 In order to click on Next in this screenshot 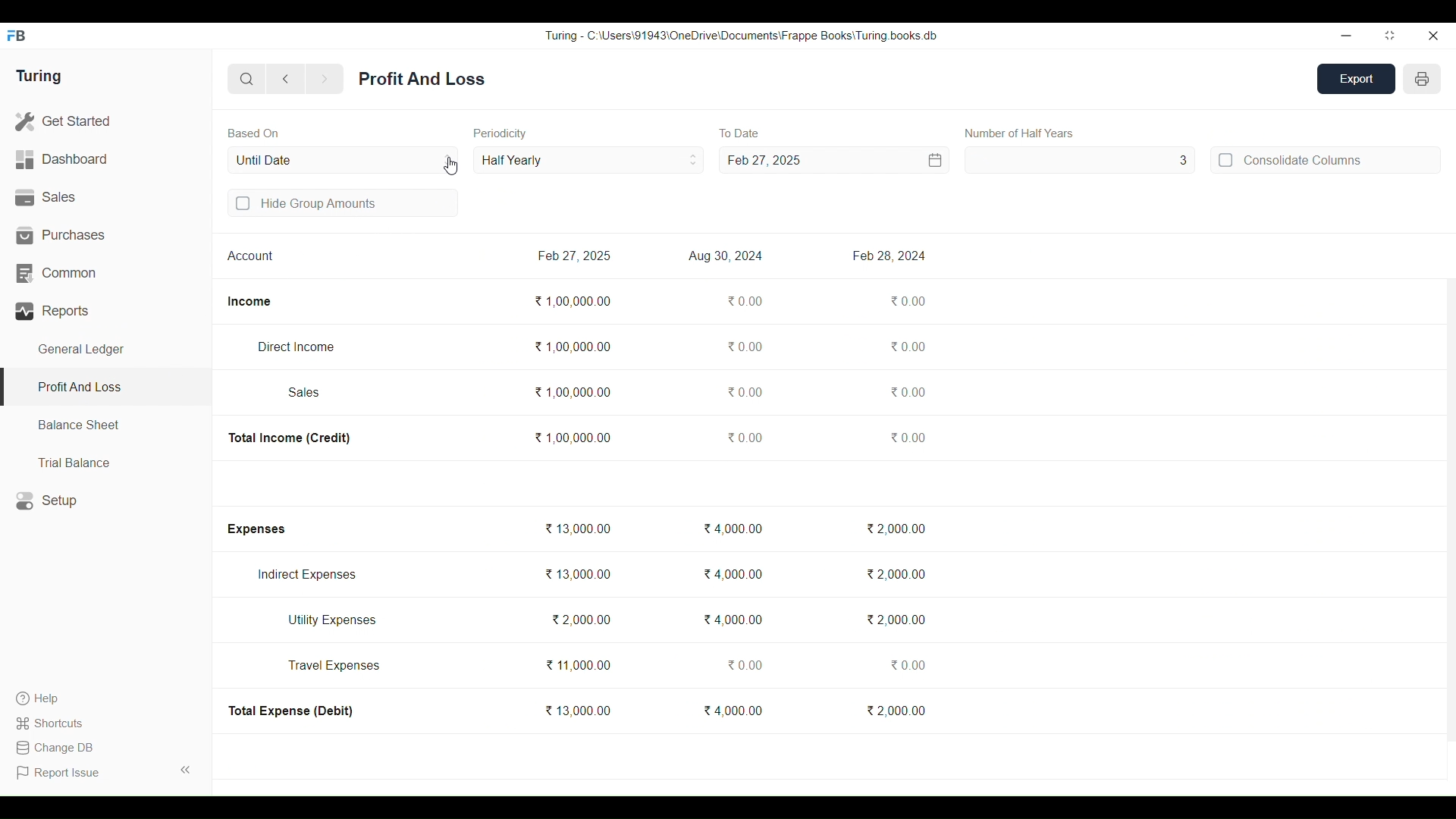, I will do `click(325, 80)`.